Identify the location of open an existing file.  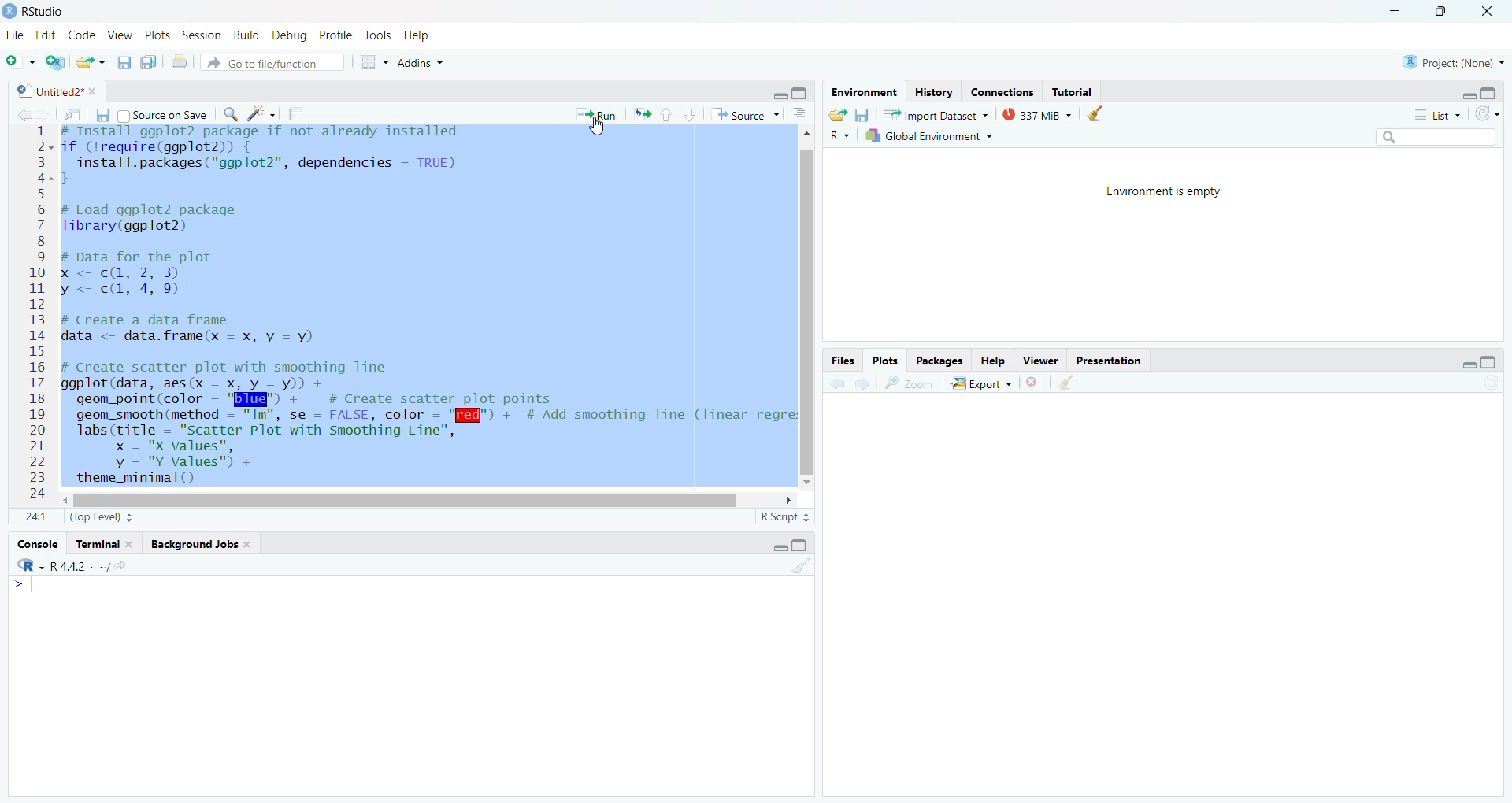
(91, 62).